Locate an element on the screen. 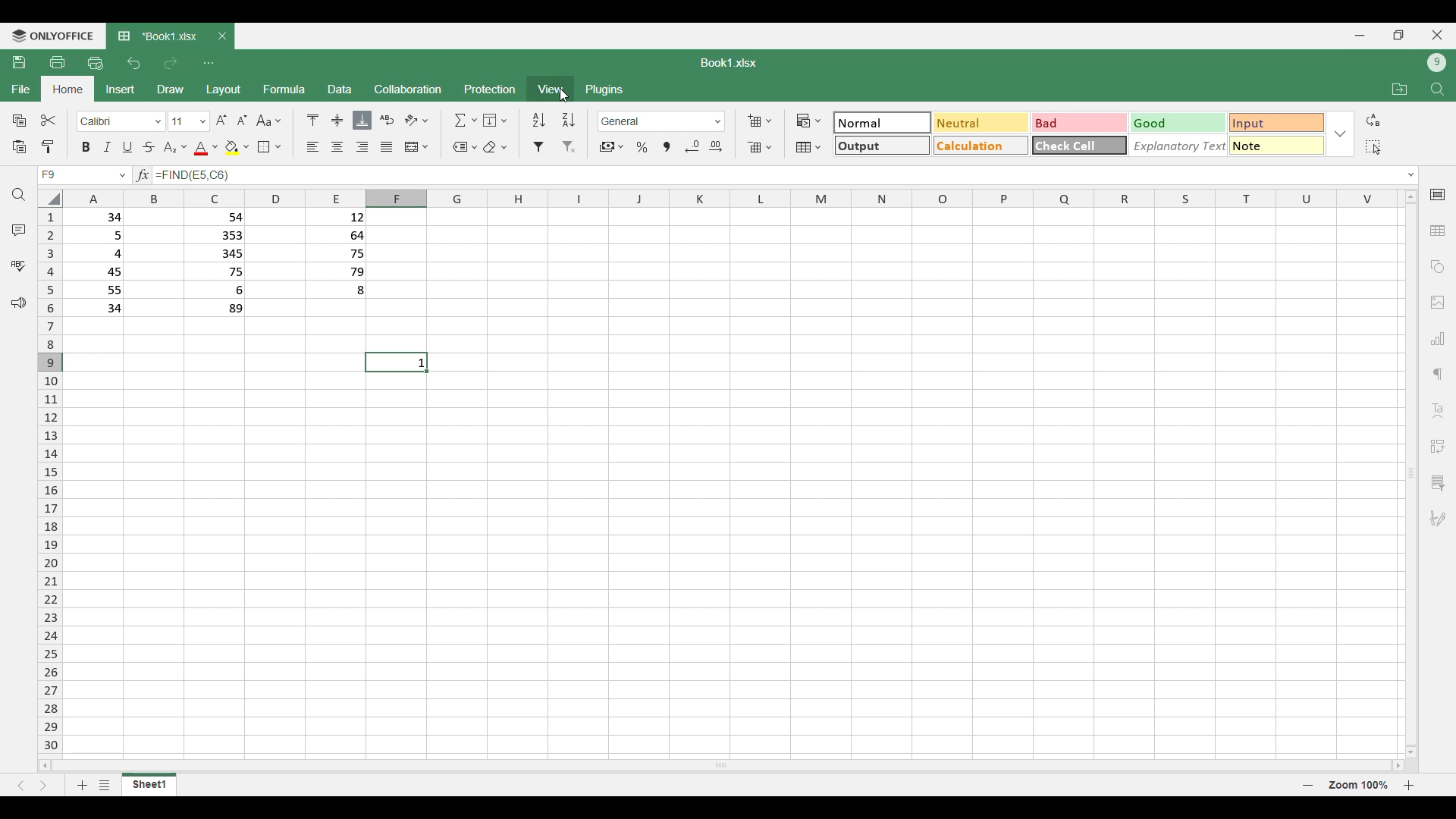 This screenshot has width=1456, height=819. Redo is located at coordinates (171, 64).